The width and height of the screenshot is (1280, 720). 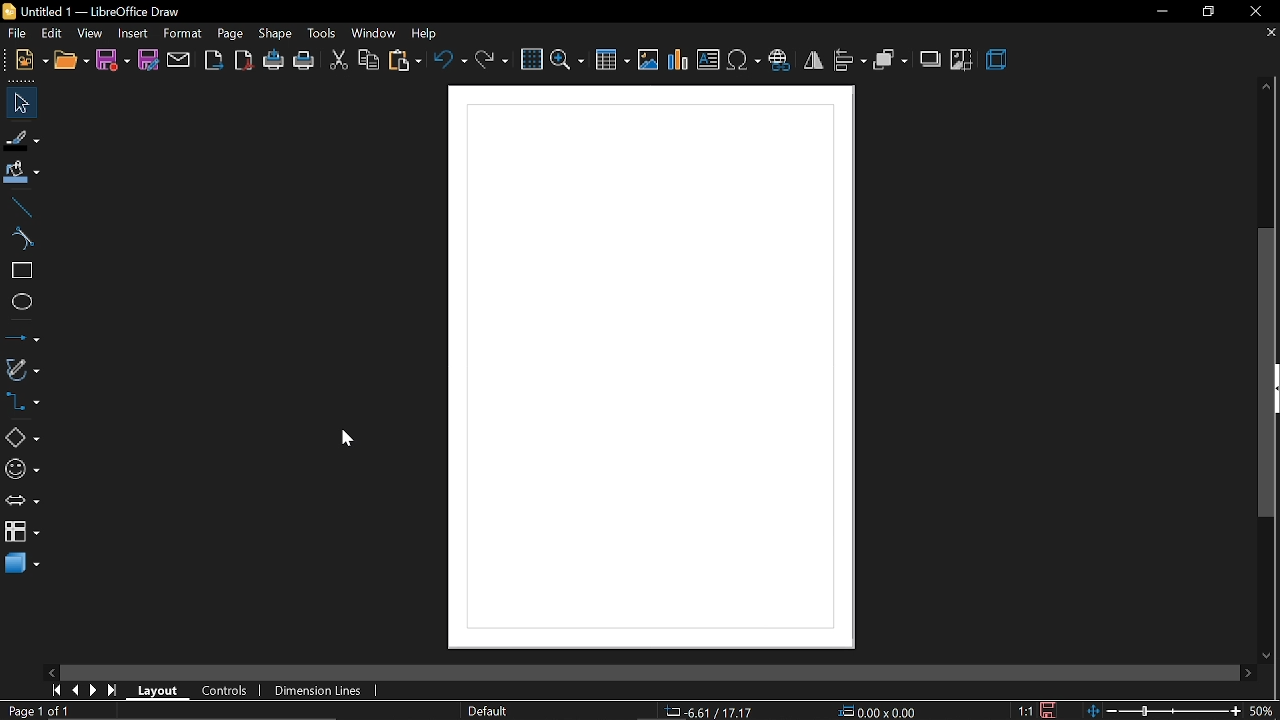 What do you see at coordinates (160, 690) in the screenshot?
I see `layout` at bounding box center [160, 690].